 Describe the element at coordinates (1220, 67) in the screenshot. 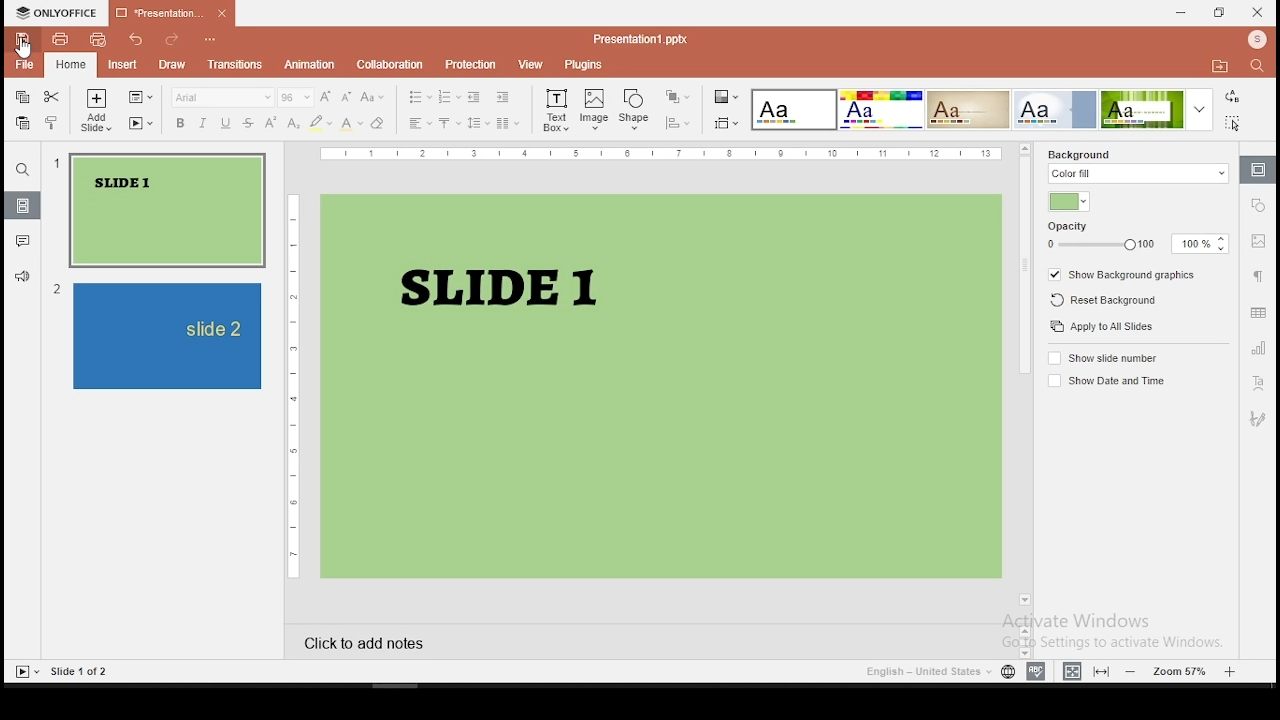

I see `open file location` at that location.